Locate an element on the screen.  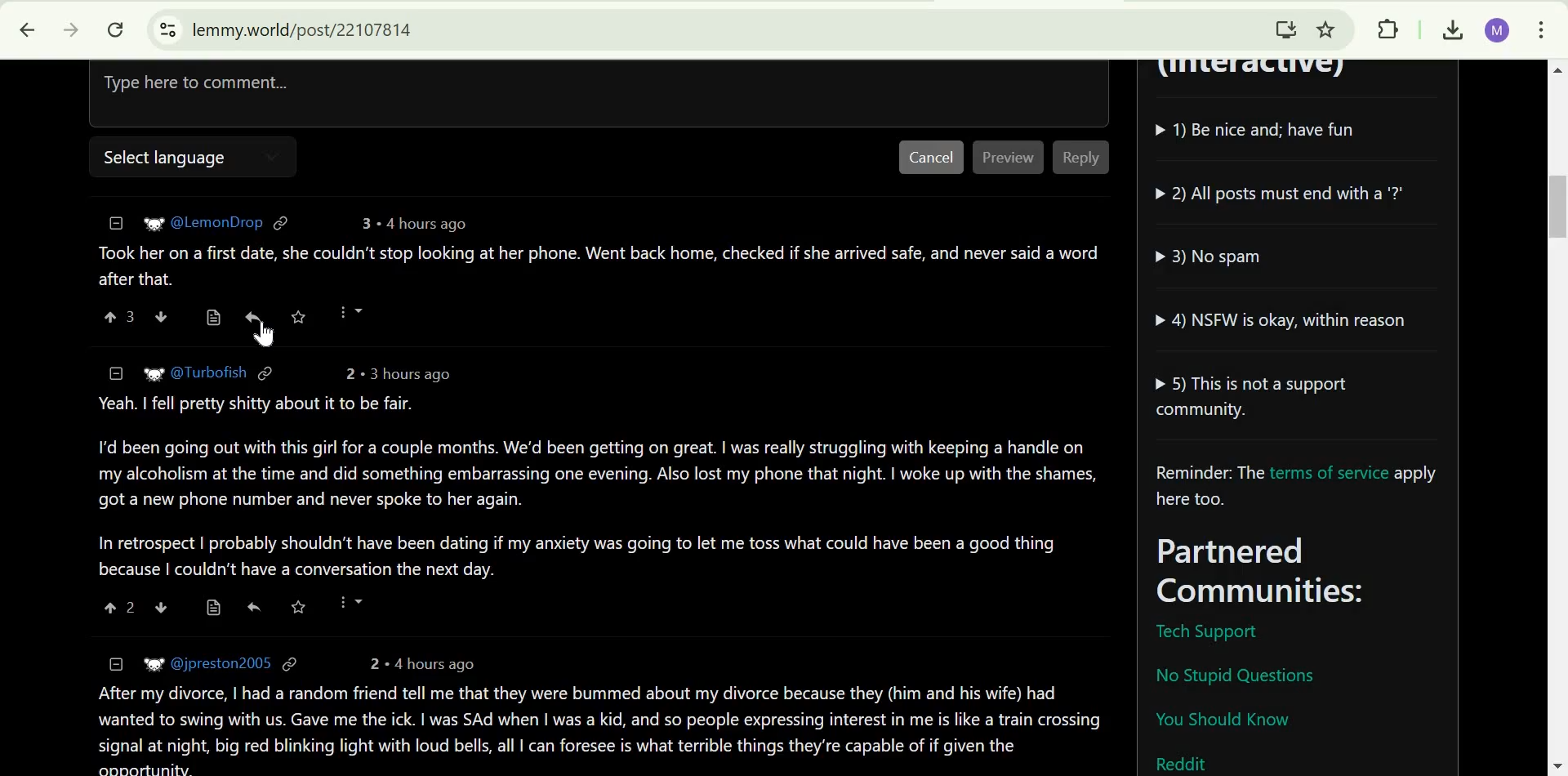
Install Lemmy.World is located at coordinates (1282, 27).